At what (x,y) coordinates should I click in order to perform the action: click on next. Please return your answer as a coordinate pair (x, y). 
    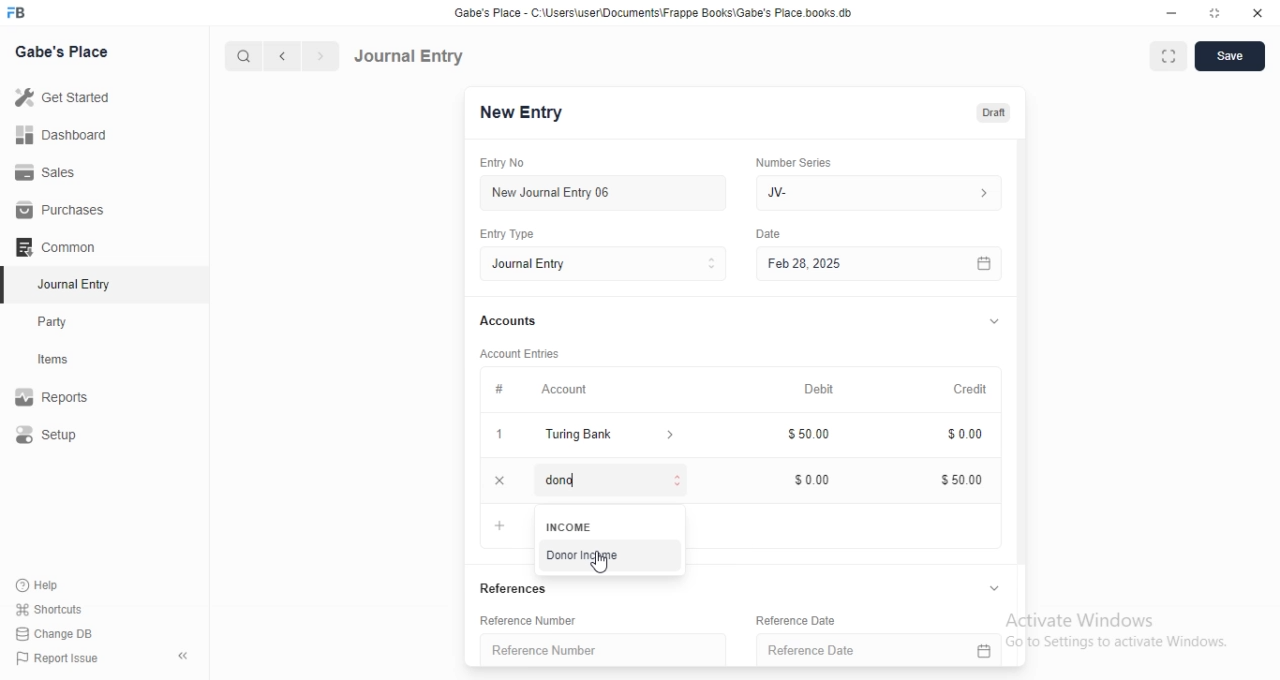
    Looking at the image, I should click on (318, 57).